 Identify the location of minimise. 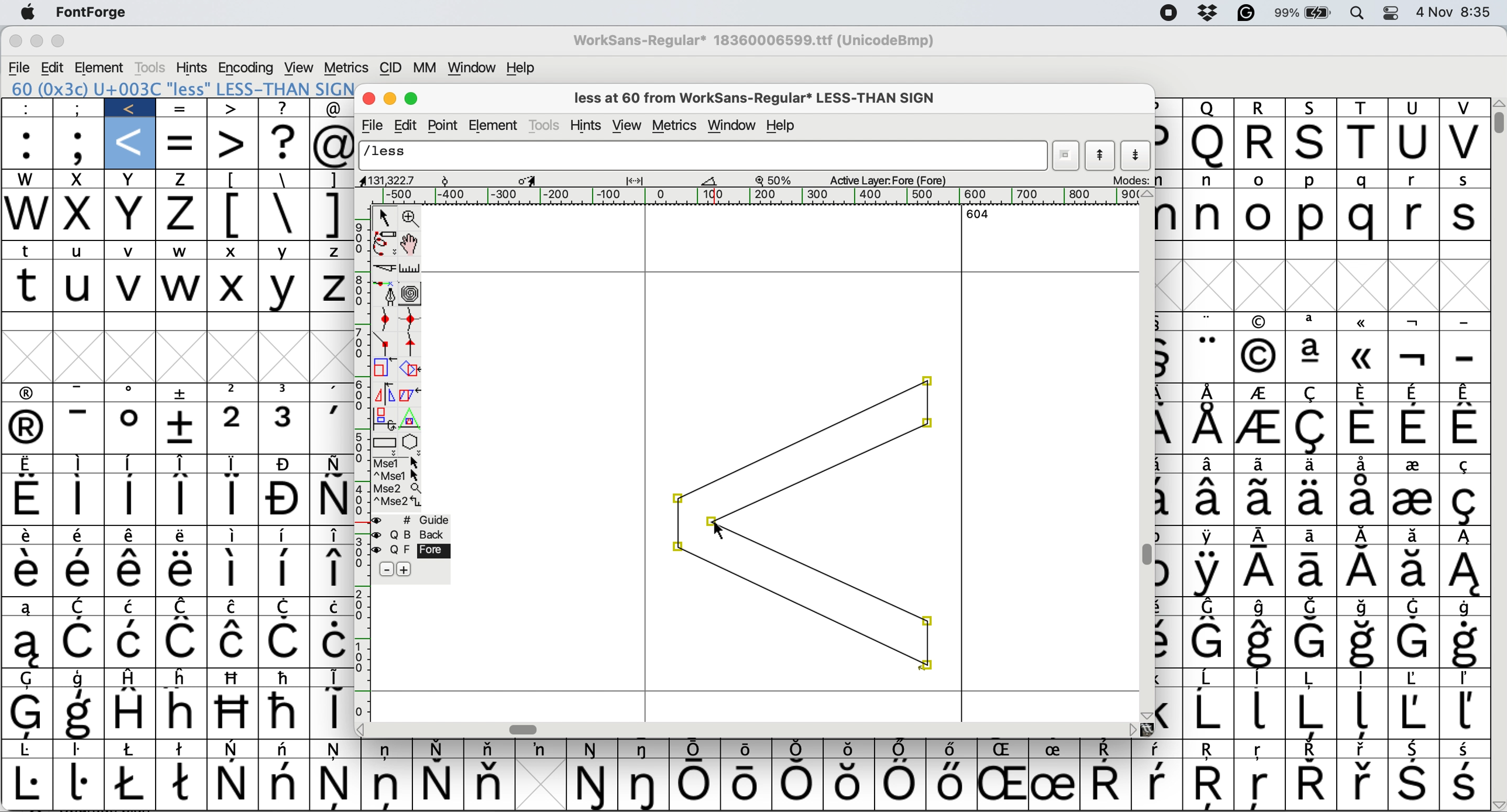
(37, 42).